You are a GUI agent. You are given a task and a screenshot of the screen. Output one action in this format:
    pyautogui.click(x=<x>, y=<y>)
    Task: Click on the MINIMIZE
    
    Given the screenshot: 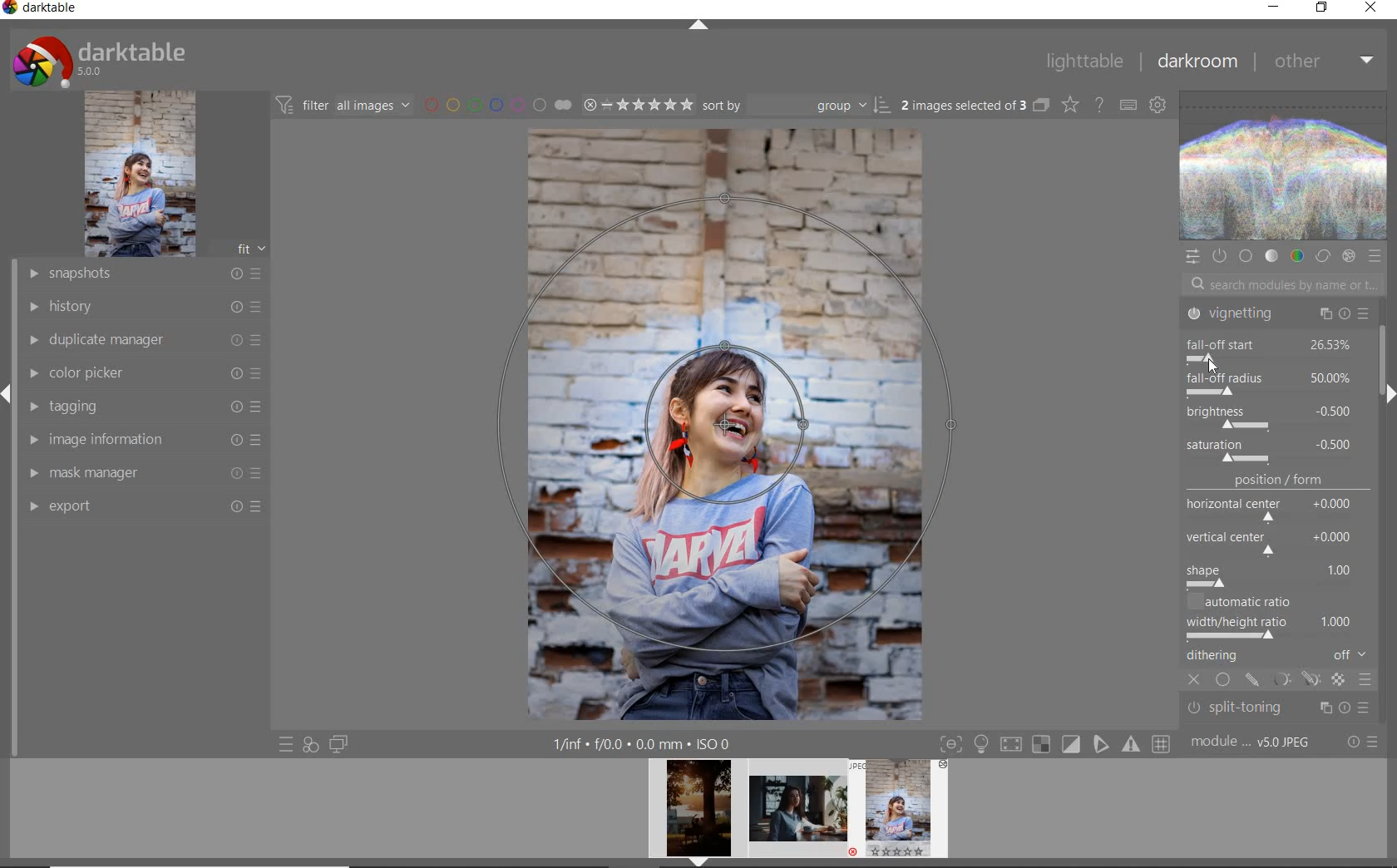 What is the action you would take?
    pyautogui.click(x=1273, y=7)
    